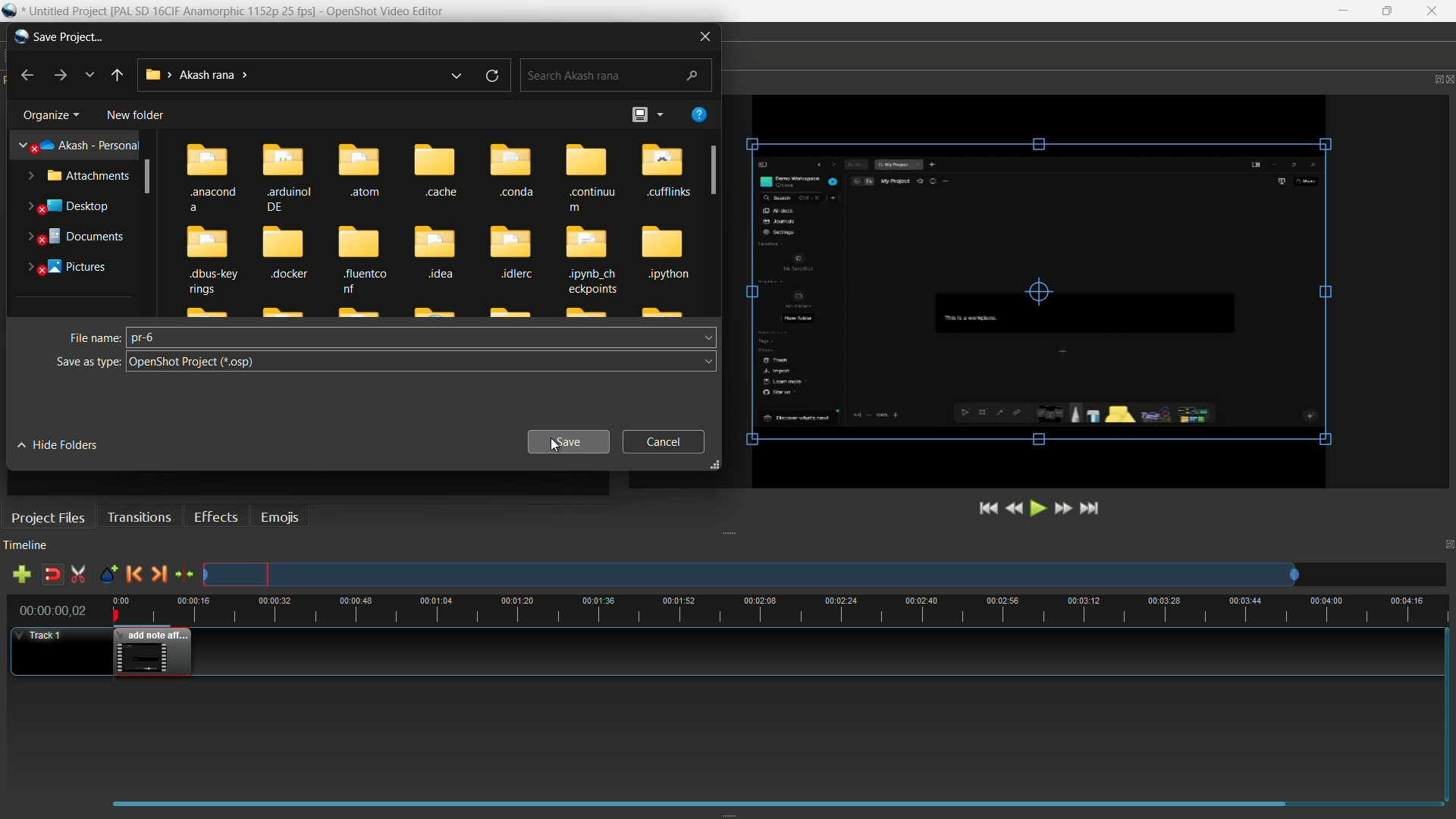 The width and height of the screenshot is (1456, 819). Describe the element at coordinates (67, 268) in the screenshot. I see `pictures` at that location.